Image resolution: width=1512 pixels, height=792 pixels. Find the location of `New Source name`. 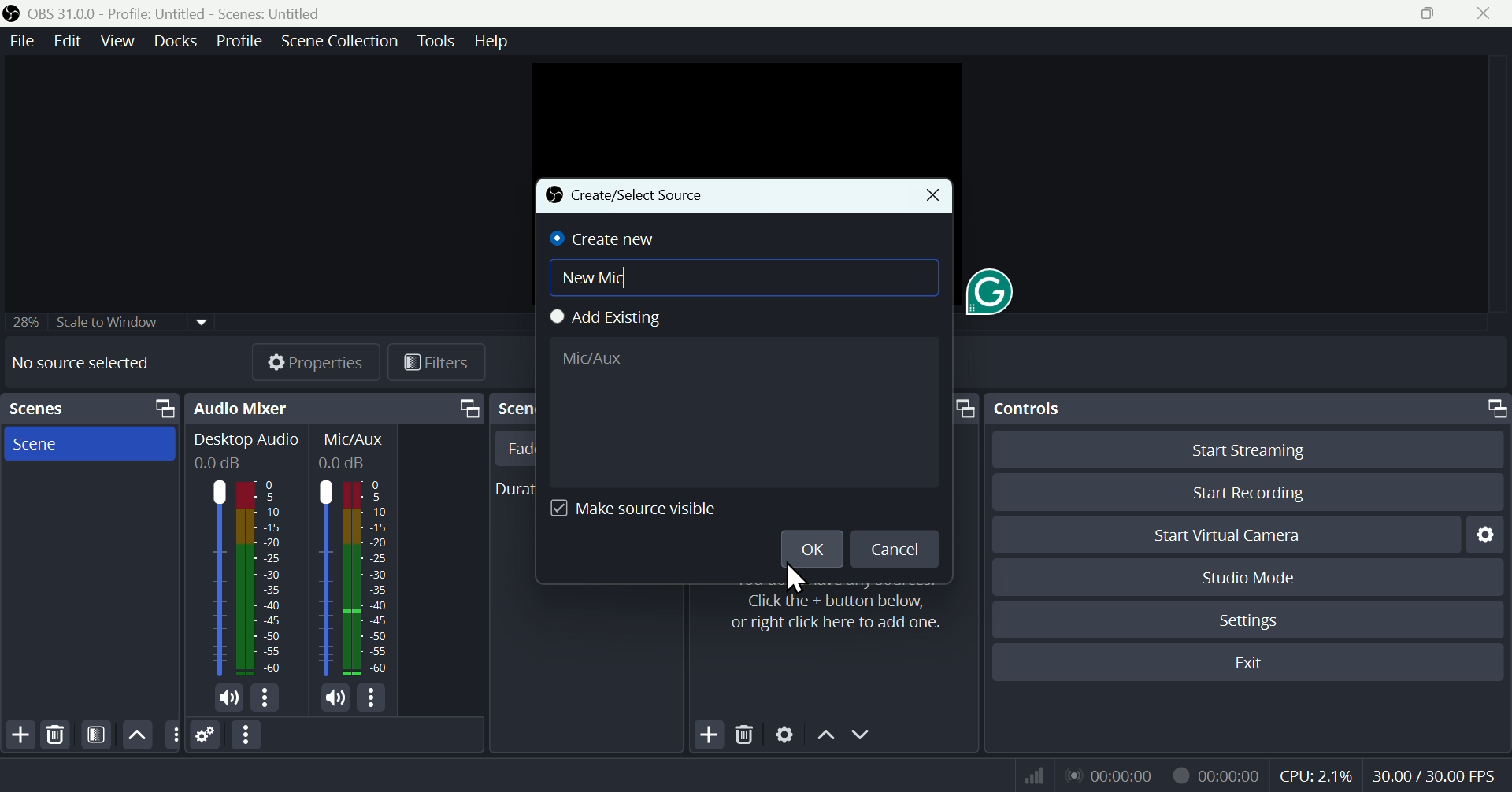

New Source name is located at coordinates (748, 276).